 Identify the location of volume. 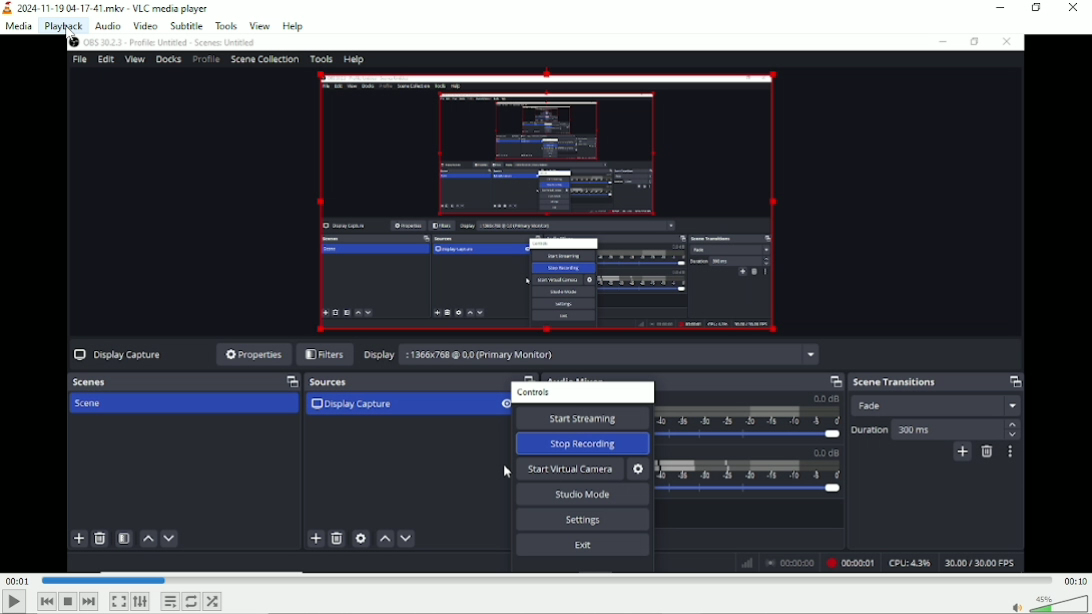
(1048, 603).